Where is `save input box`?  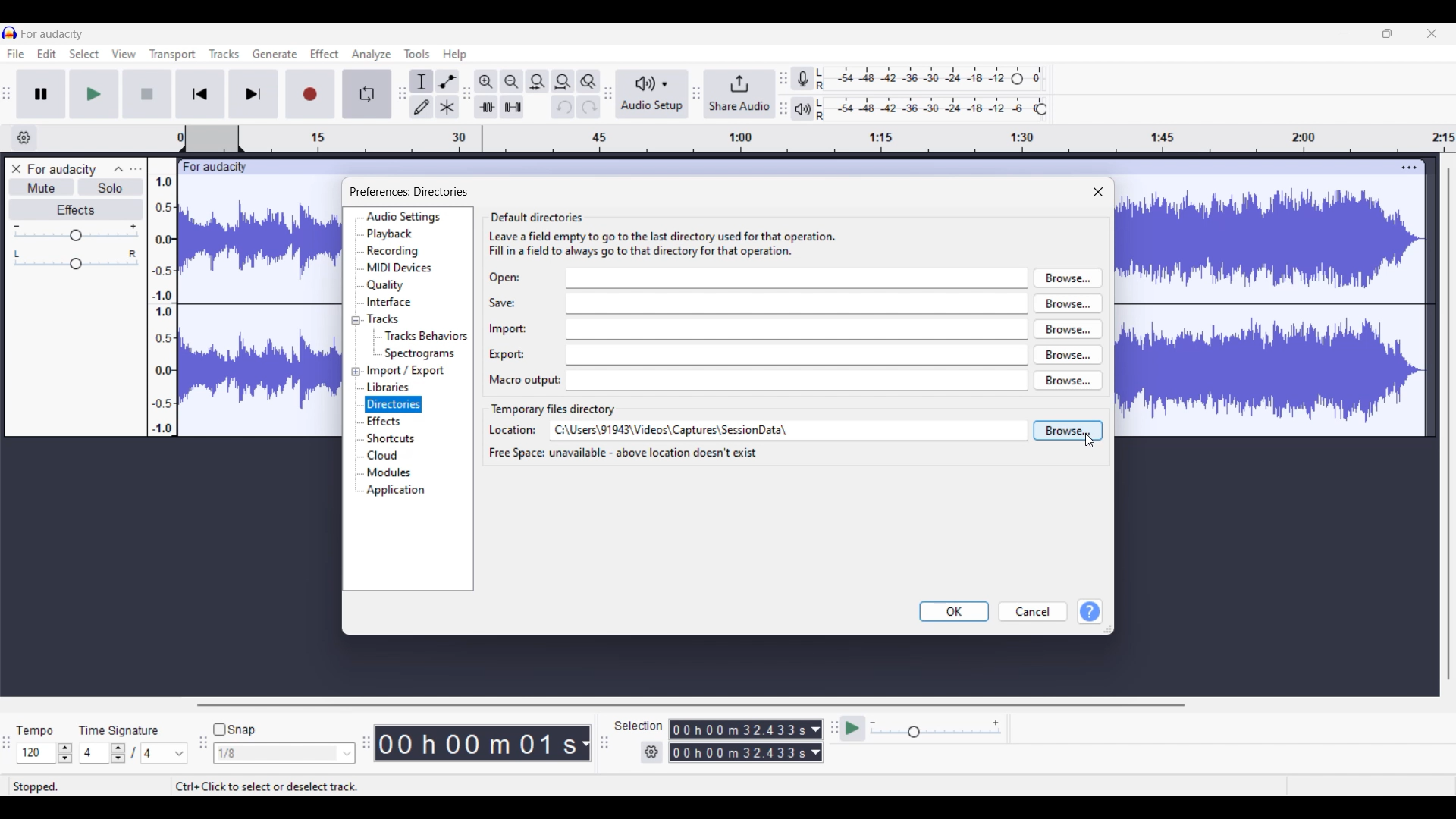 save input box is located at coordinates (799, 303).